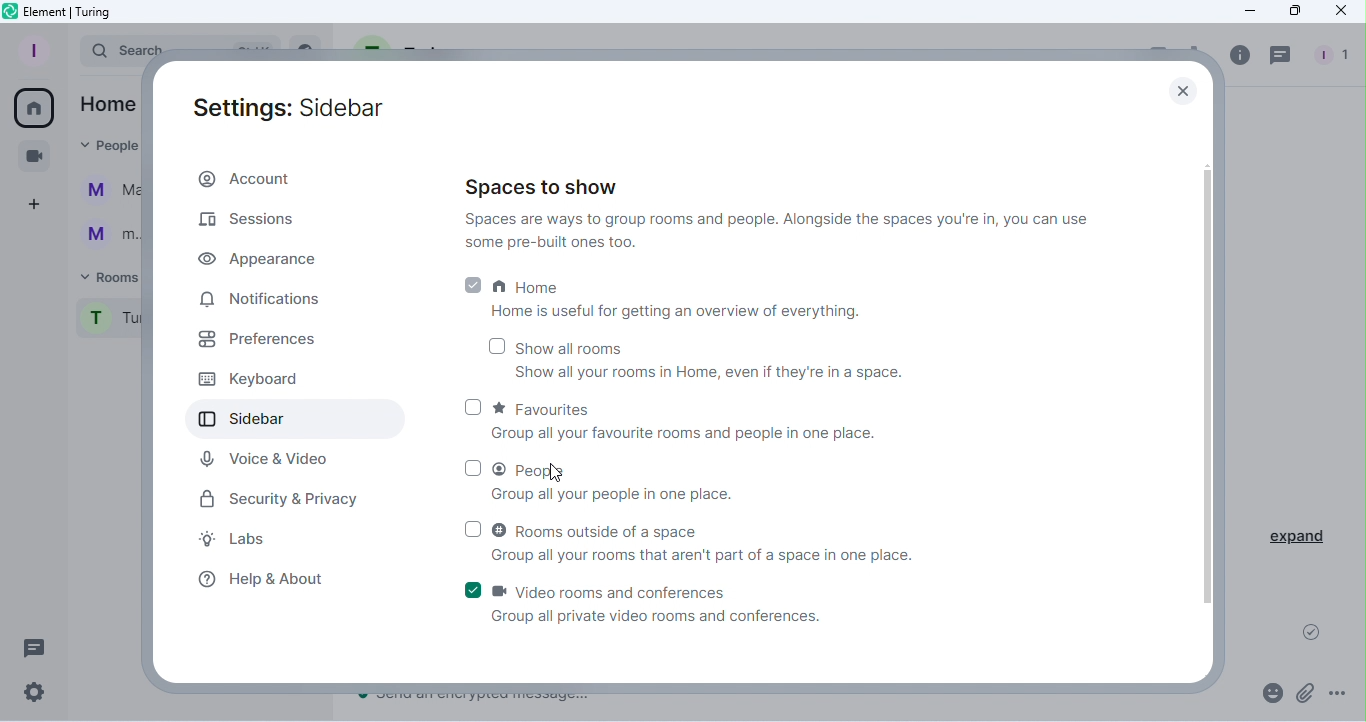 Image resolution: width=1366 pixels, height=722 pixels. Describe the element at coordinates (107, 107) in the screenshot. I see `Home` at that location.